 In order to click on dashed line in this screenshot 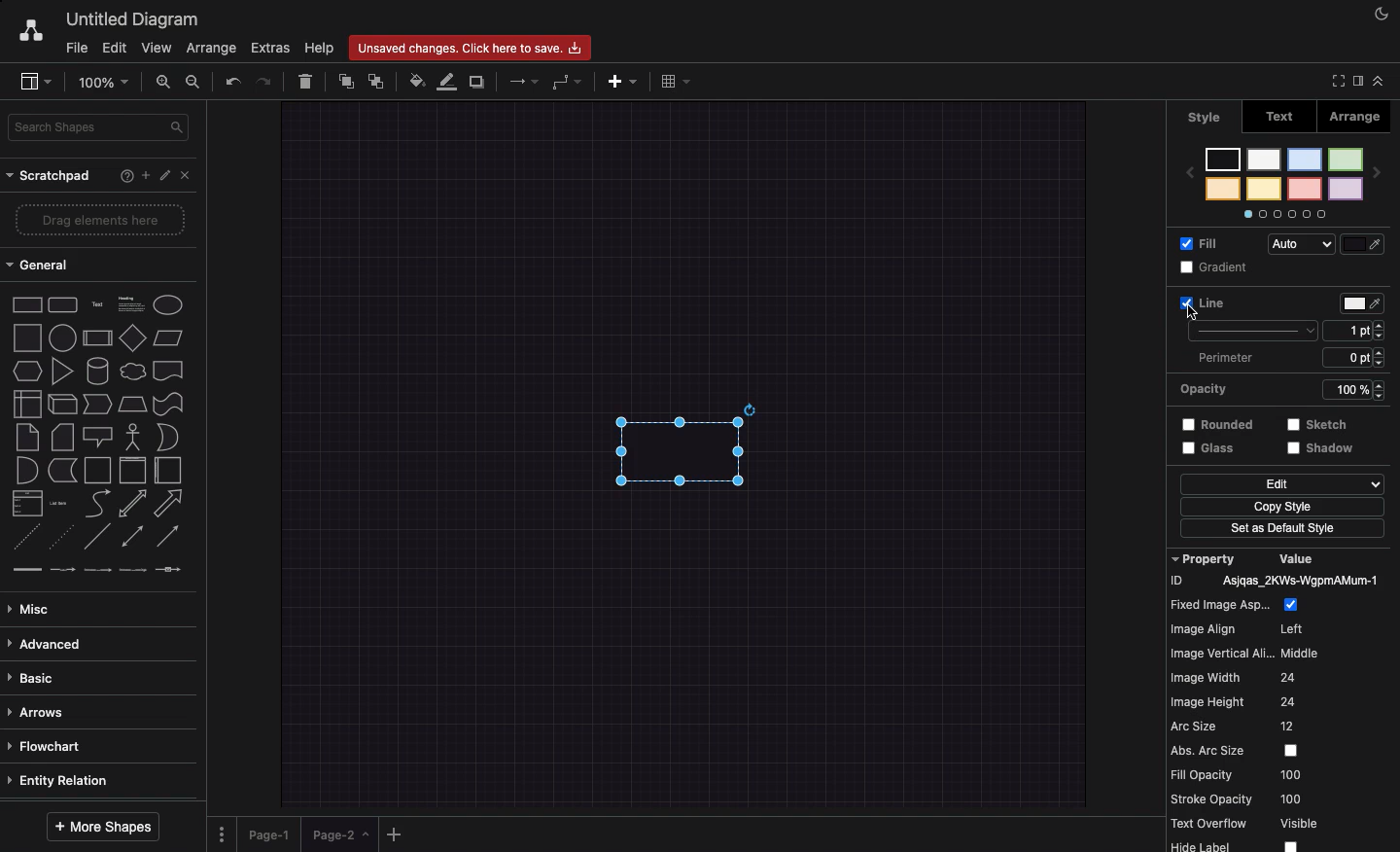, I will do `click(21, 539)`.